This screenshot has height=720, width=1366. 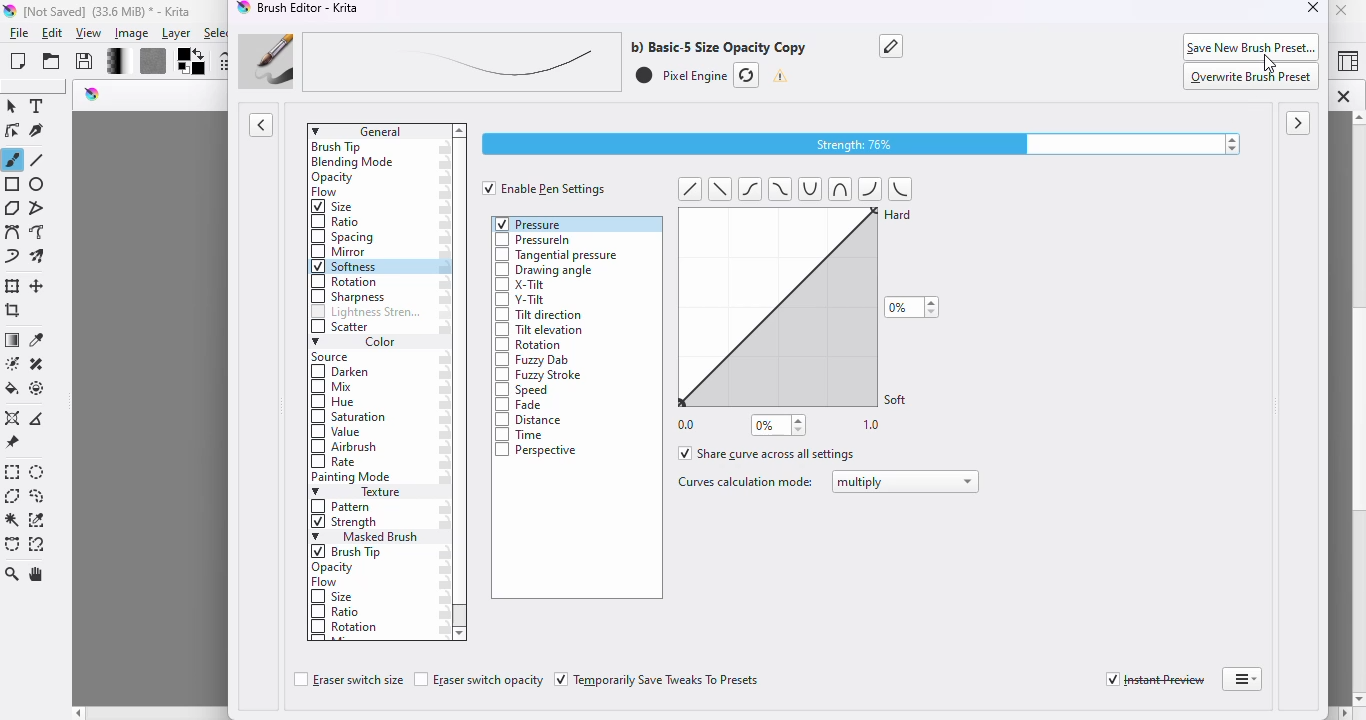 What do you see at coordinates (327, 193) in the screenshot?
I see `flow` at bounding box center [327, 193].